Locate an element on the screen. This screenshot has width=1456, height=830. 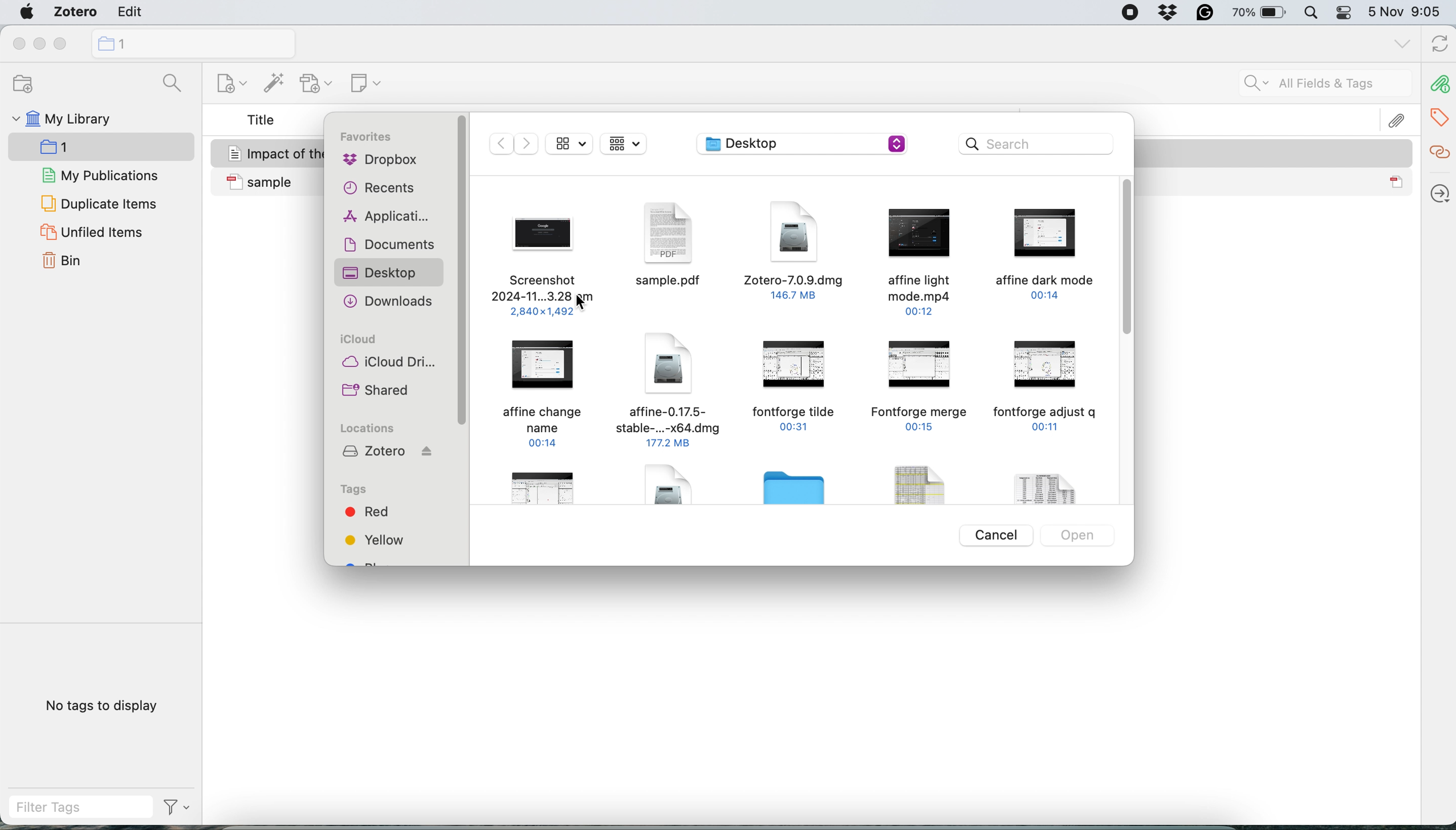
new note is located at coordinates (361, 81).